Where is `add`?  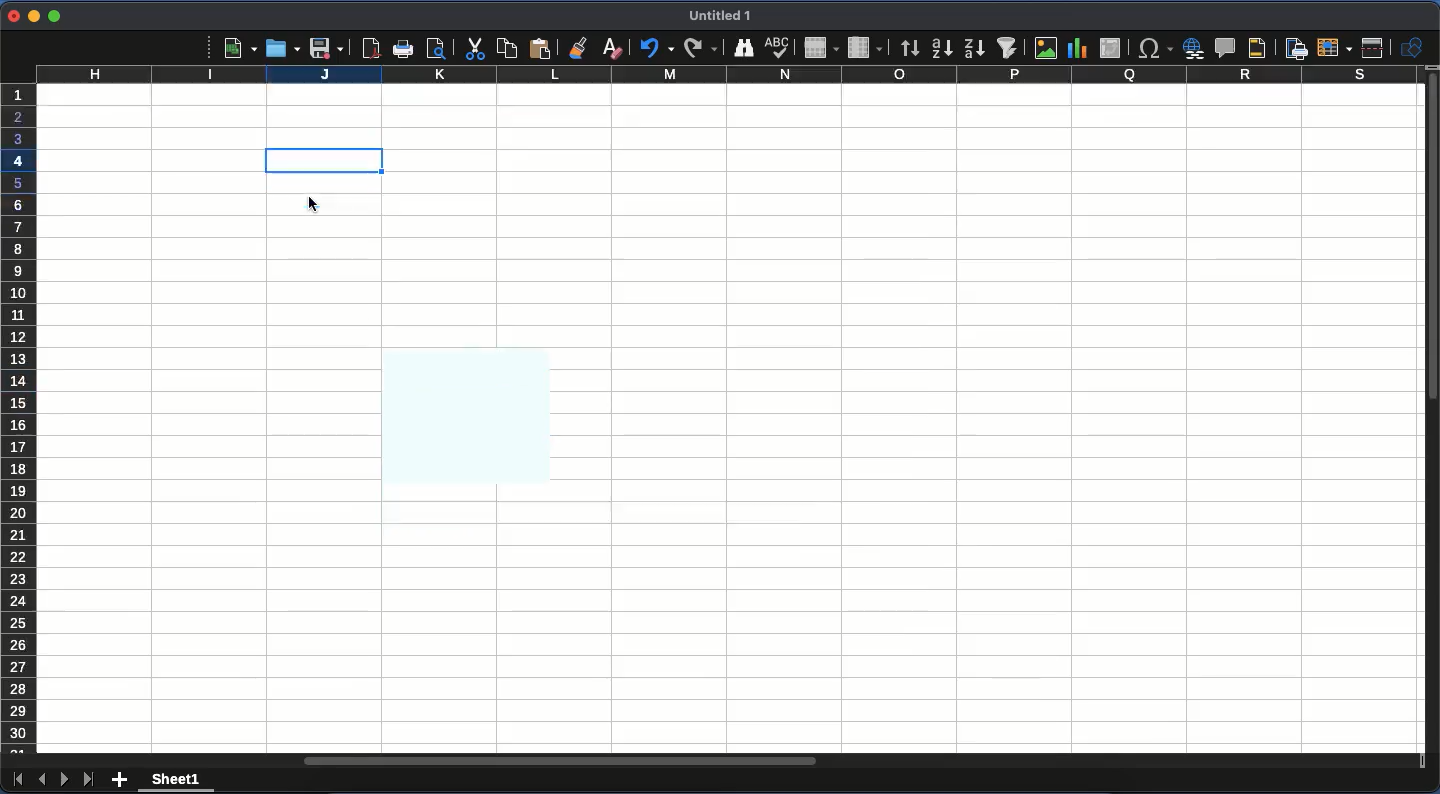
add is located at coordinates (122, 777).